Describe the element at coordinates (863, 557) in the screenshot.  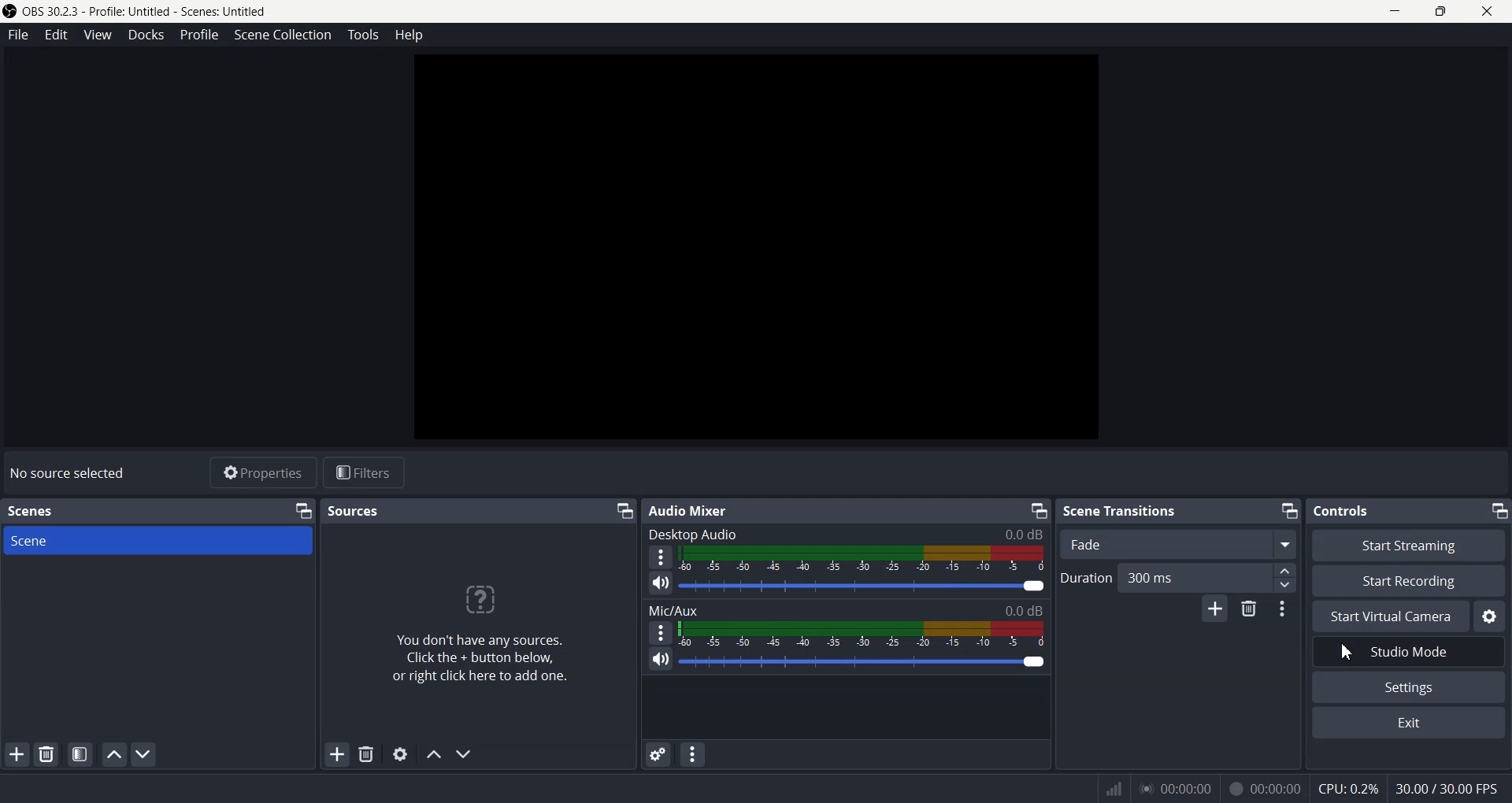
I see `Volume indicator` at that location.